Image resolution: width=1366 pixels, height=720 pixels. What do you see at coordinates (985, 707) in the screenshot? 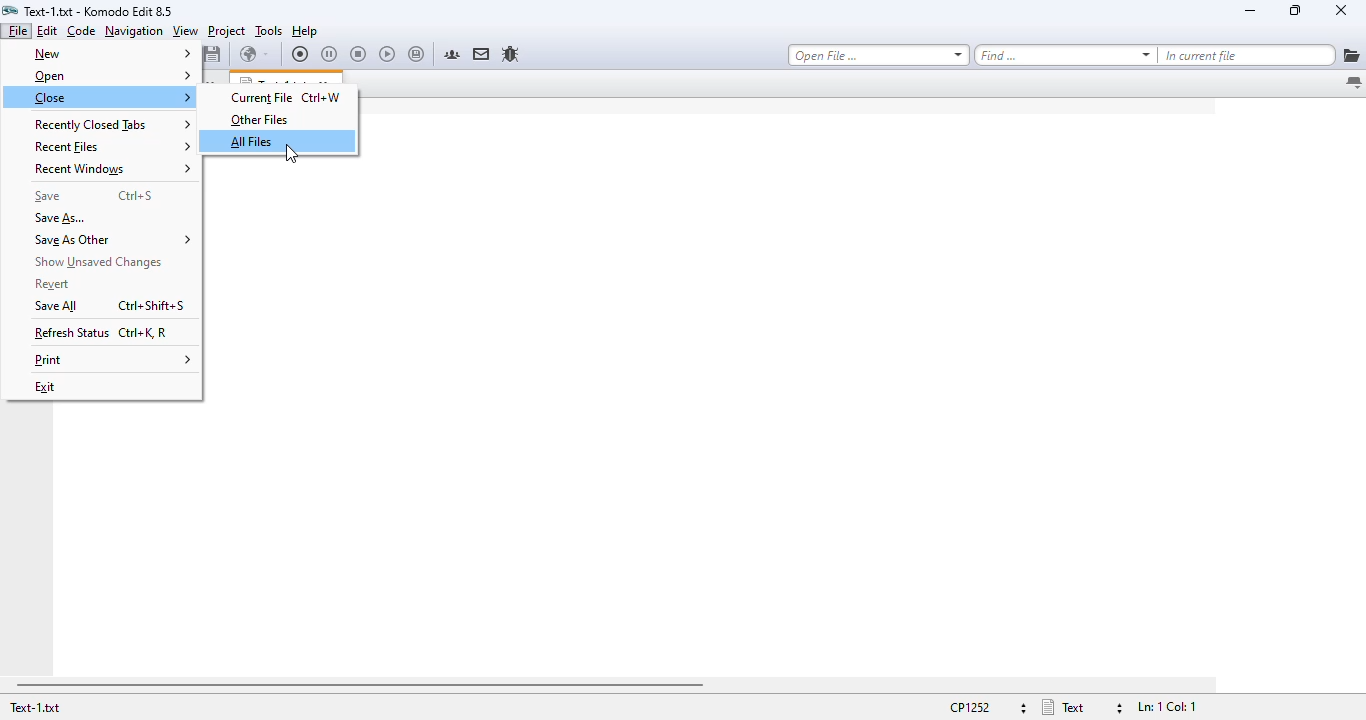
I see `file encoding` at bounding box center [985, 707].